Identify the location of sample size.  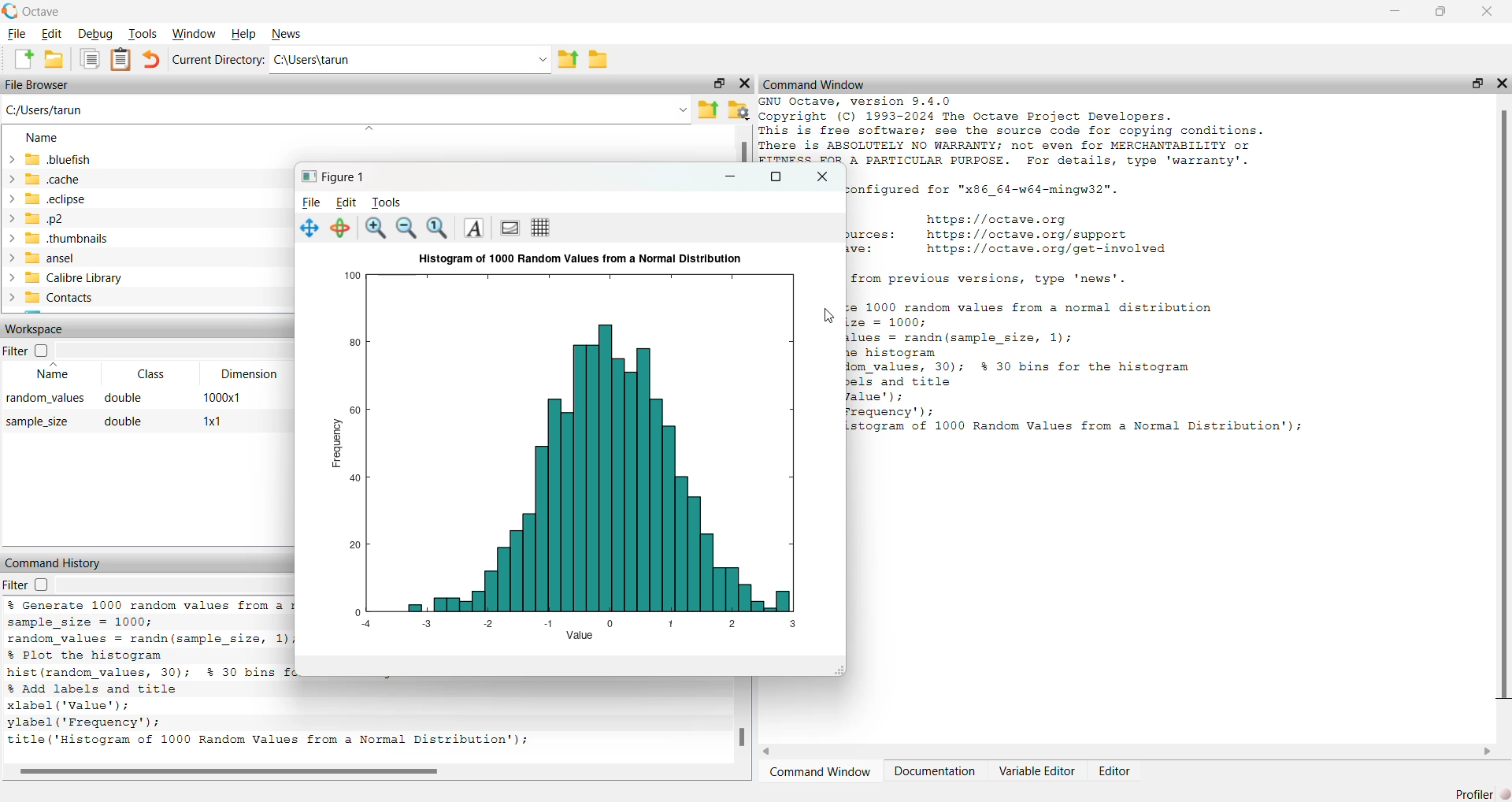
(38, 422).